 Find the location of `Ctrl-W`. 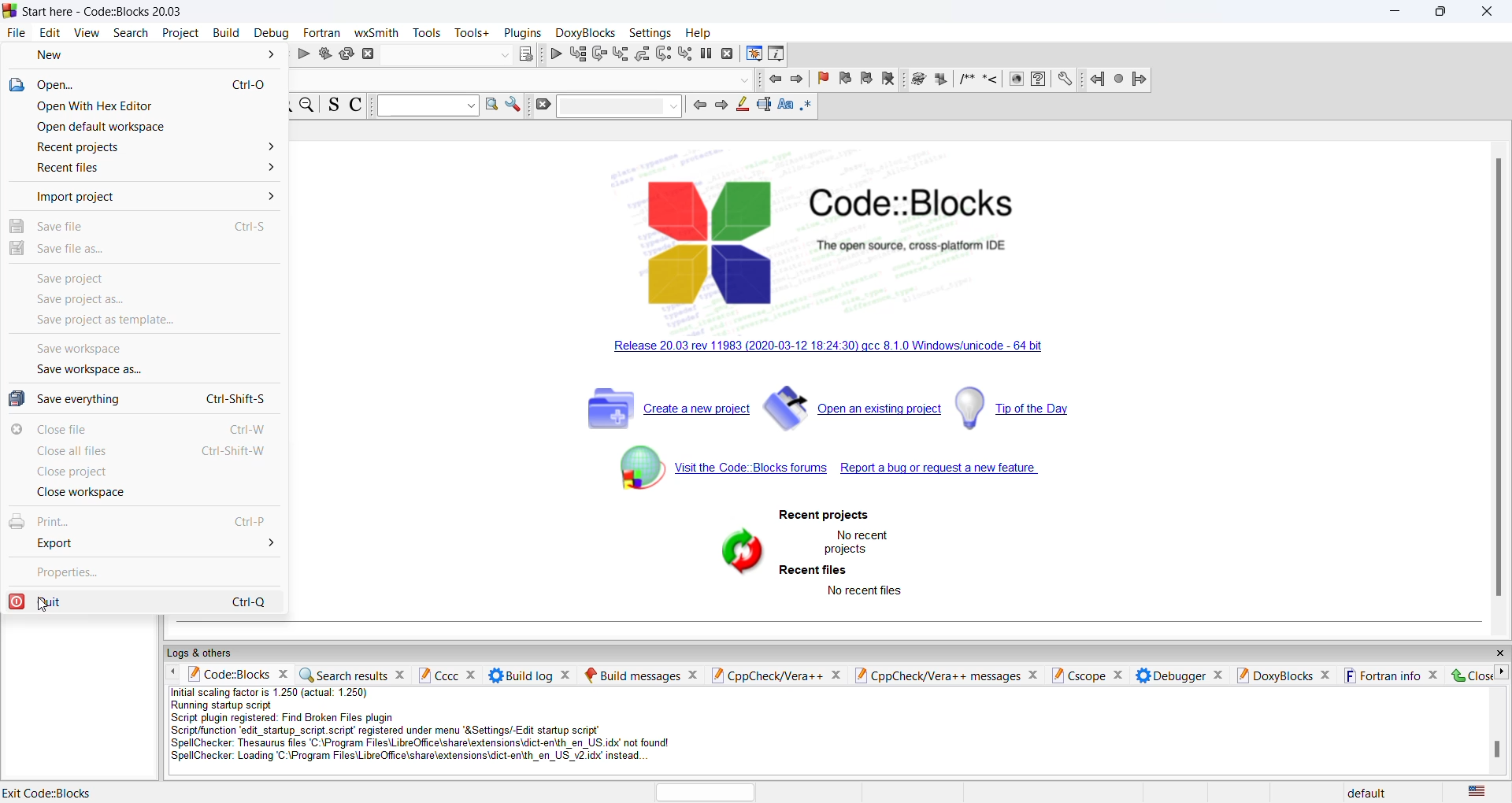

Ctrl-W is located at coordinates (247, 429).